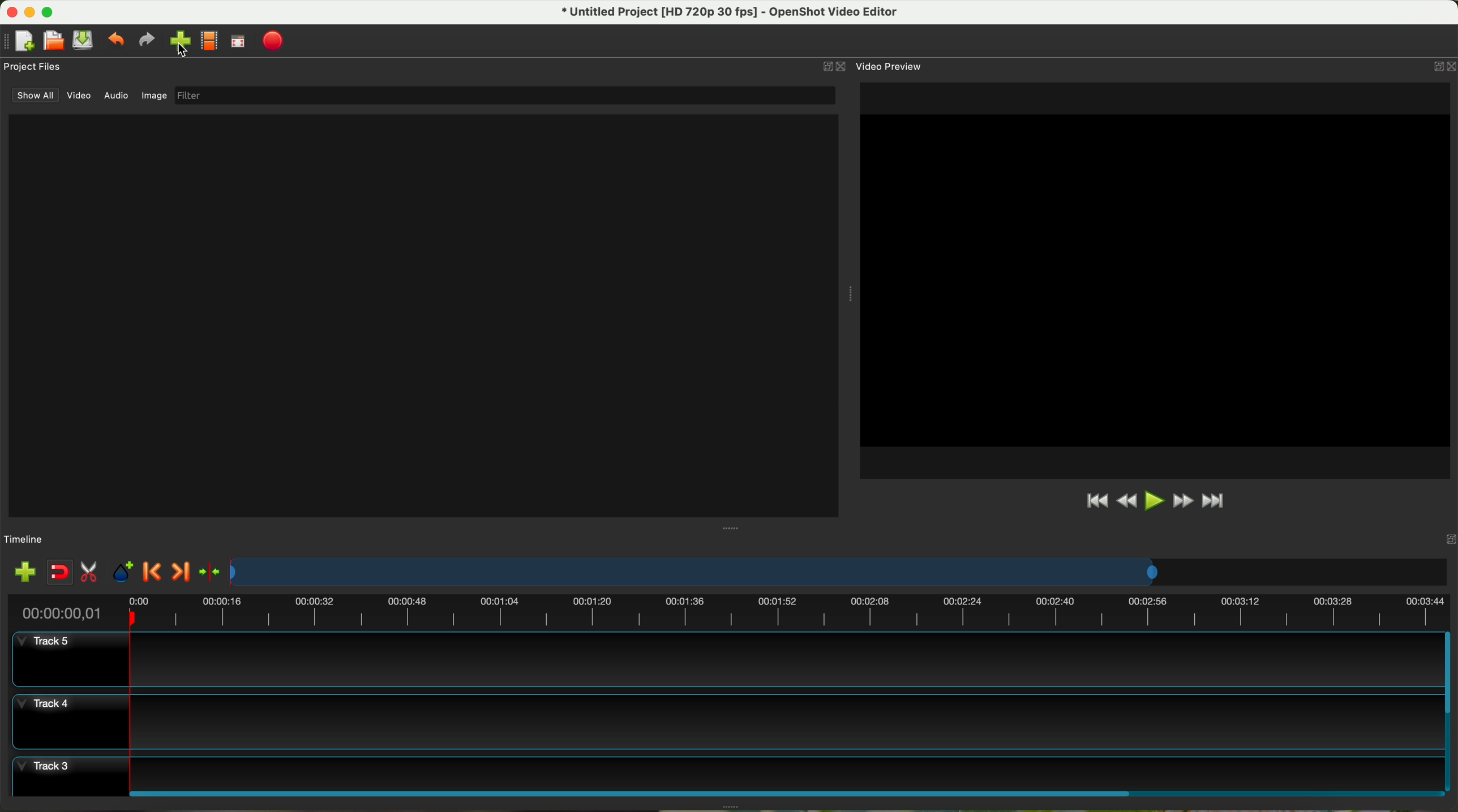  Describe the element at coordinates (49, 12) in the screenshot. I see `maximize program` at that location.